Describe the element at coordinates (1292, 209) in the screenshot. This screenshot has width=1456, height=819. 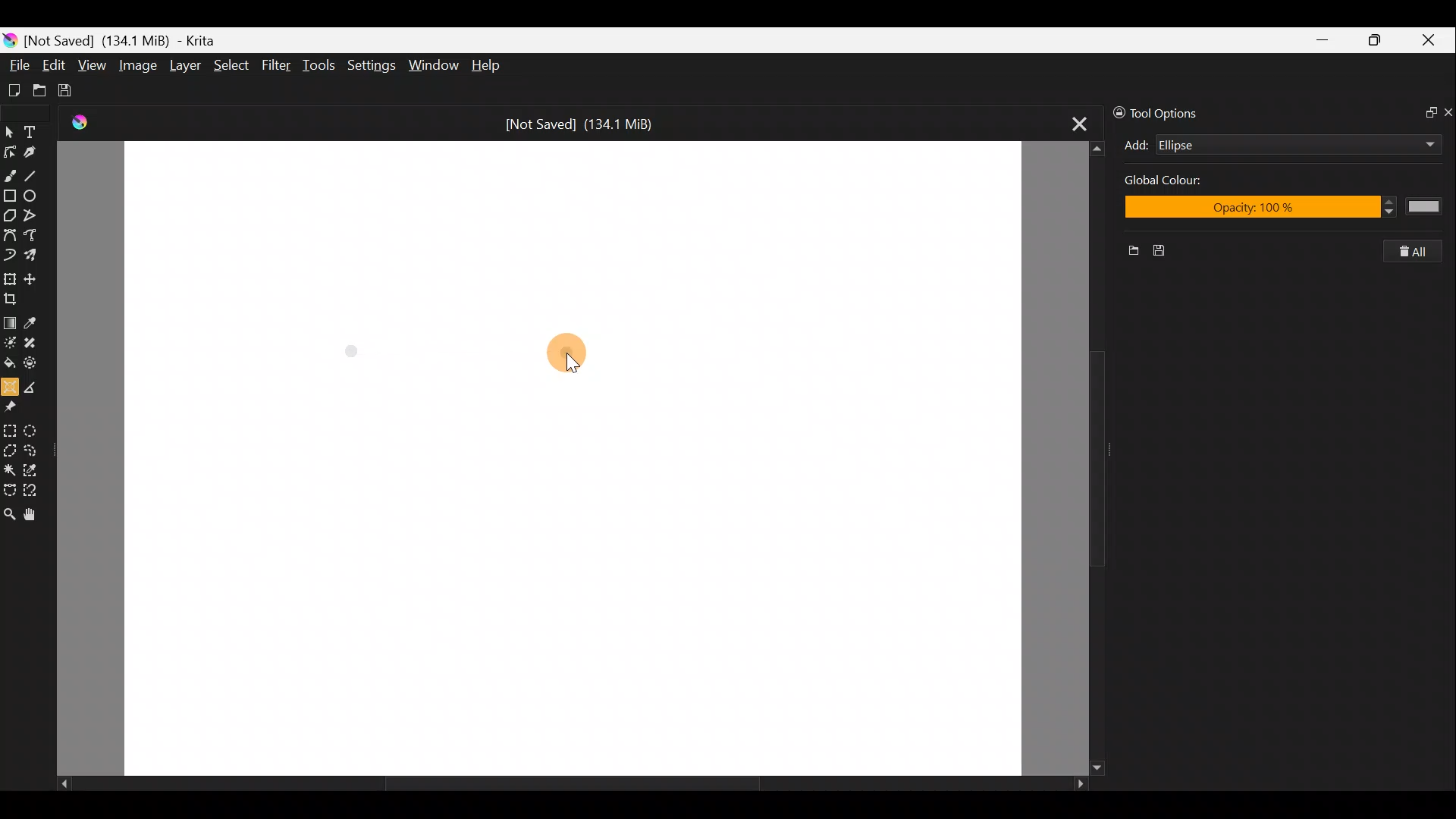
I see `Opacity: 100%` at that location.